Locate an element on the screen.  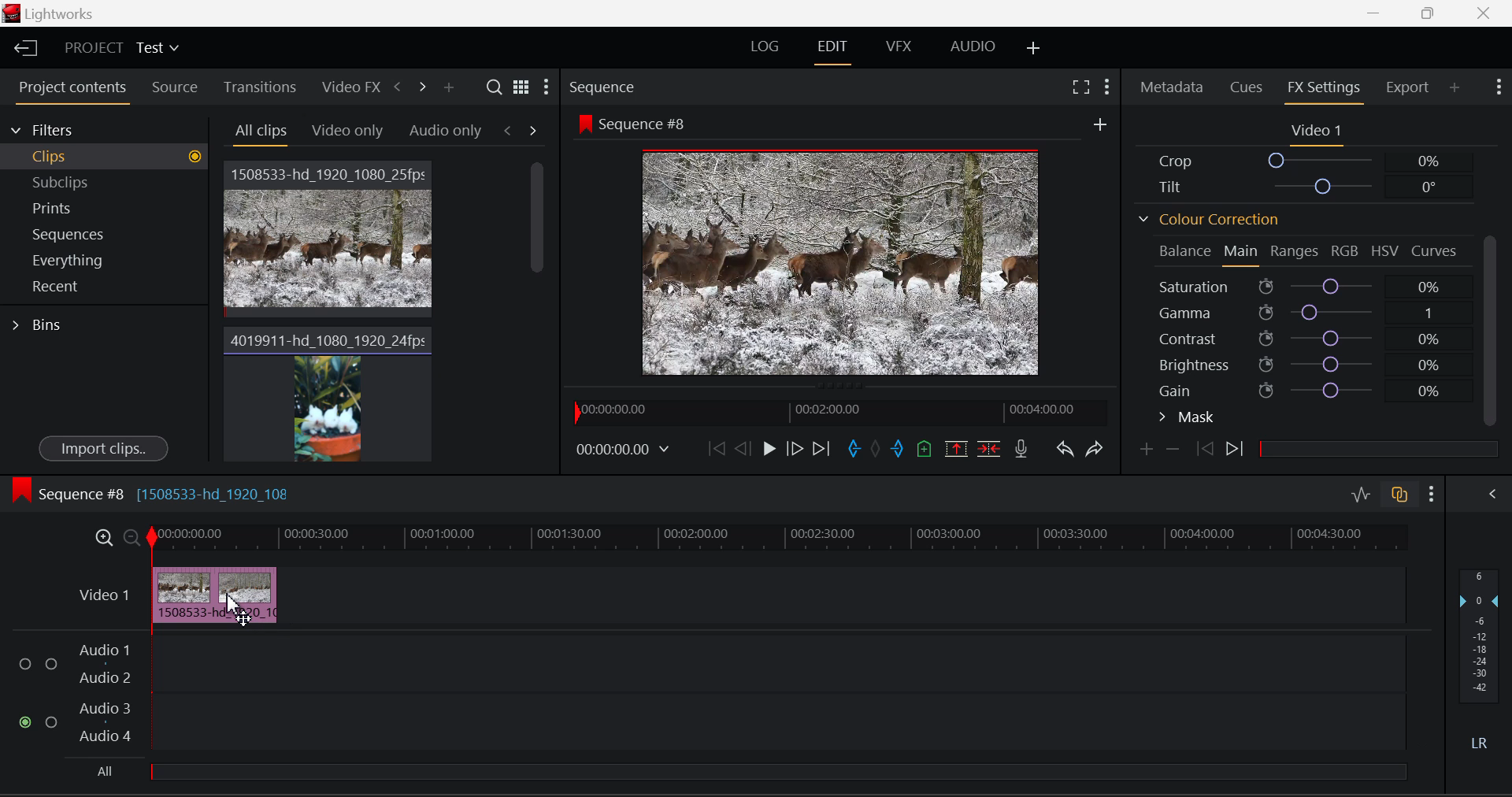
Cursor on Clip in Timeline is located at coordinates (213, 595).